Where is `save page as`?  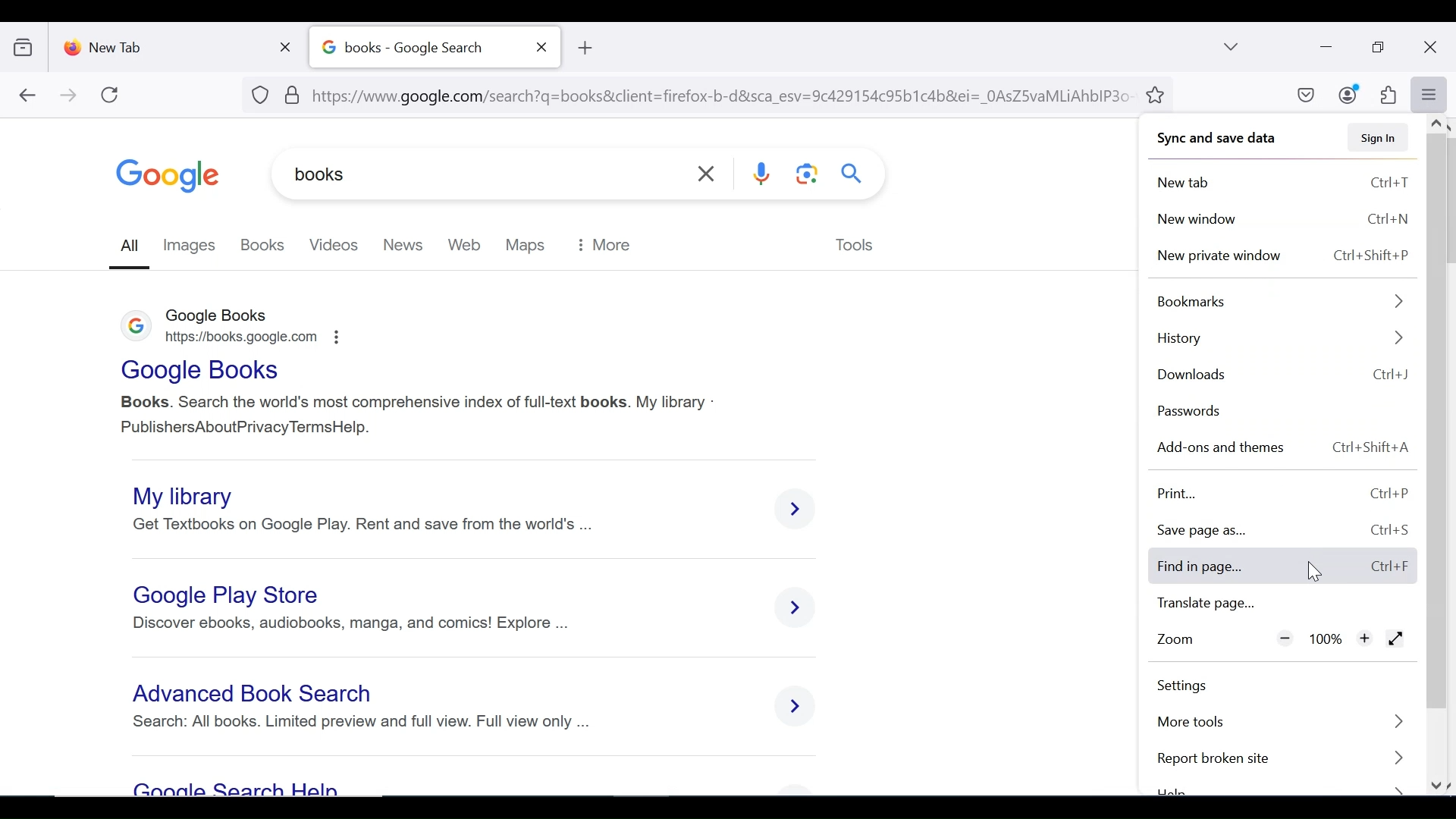 save page as is located at coordinates (1283, 531).